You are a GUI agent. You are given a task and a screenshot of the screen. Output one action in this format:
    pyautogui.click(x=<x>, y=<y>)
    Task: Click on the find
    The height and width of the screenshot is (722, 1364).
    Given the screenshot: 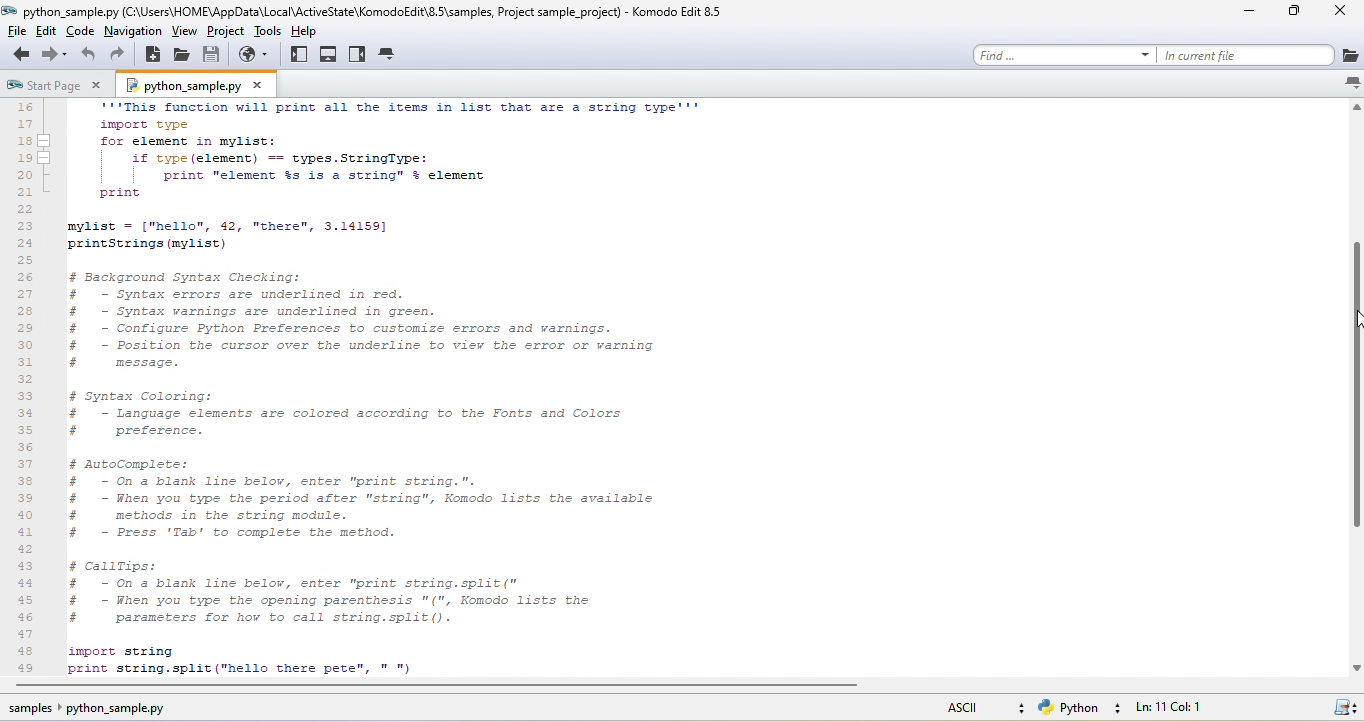 What is the action you would take?
    pyautogui.click(x=1064, y=55)
    